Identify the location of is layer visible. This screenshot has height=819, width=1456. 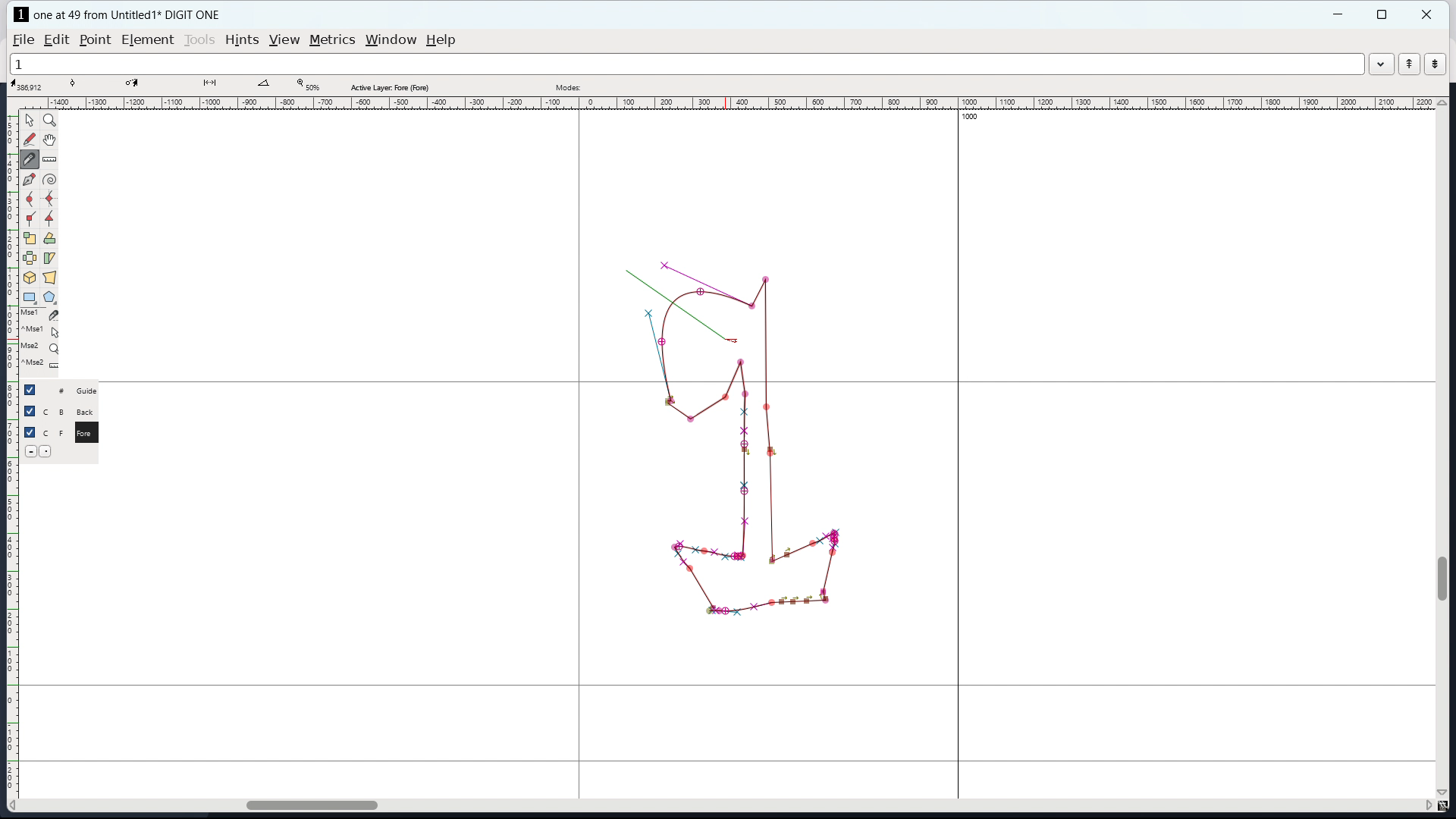
(29, 411).